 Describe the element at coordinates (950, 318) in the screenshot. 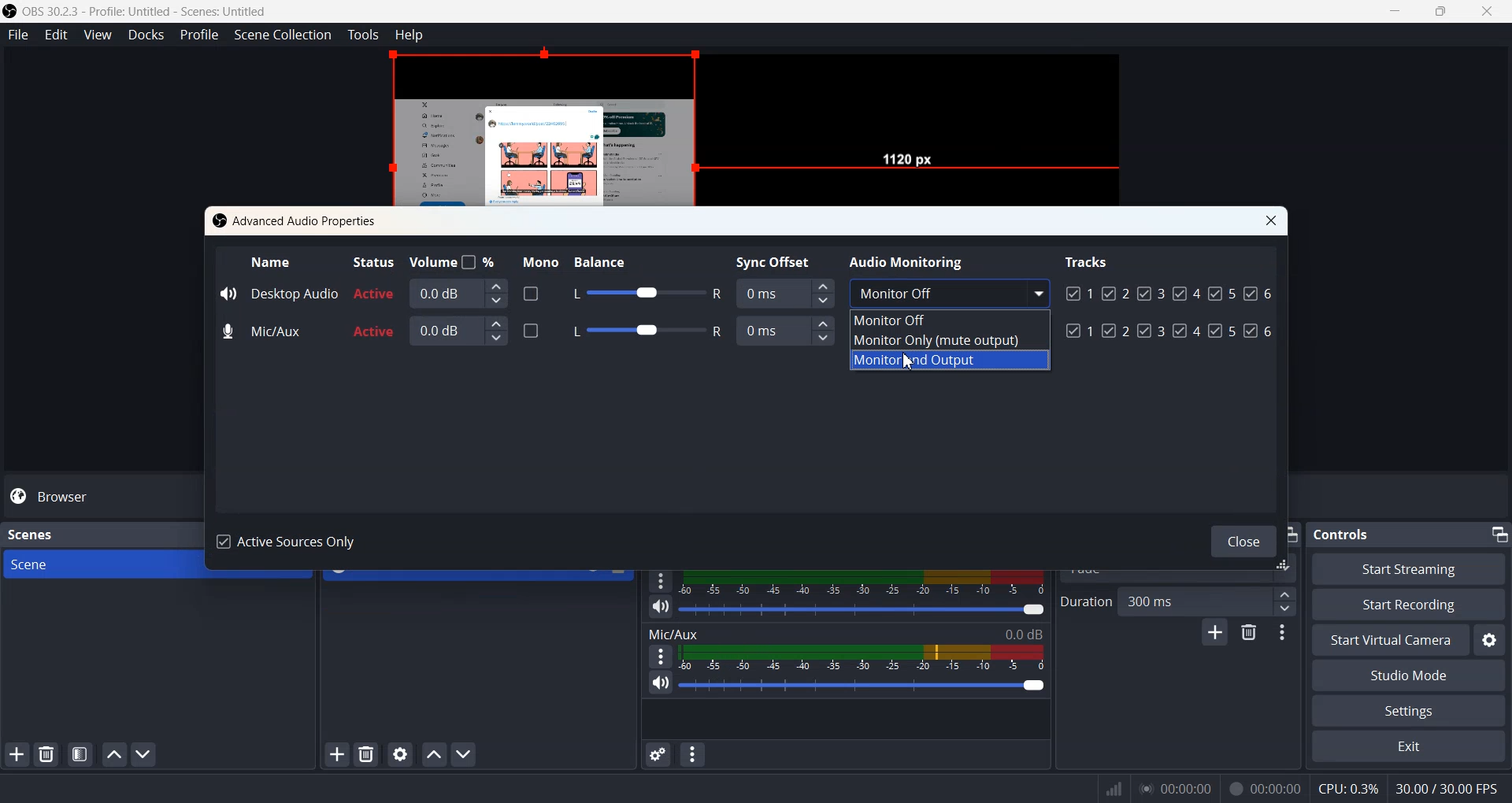

I see `Monitor Off` at that location.